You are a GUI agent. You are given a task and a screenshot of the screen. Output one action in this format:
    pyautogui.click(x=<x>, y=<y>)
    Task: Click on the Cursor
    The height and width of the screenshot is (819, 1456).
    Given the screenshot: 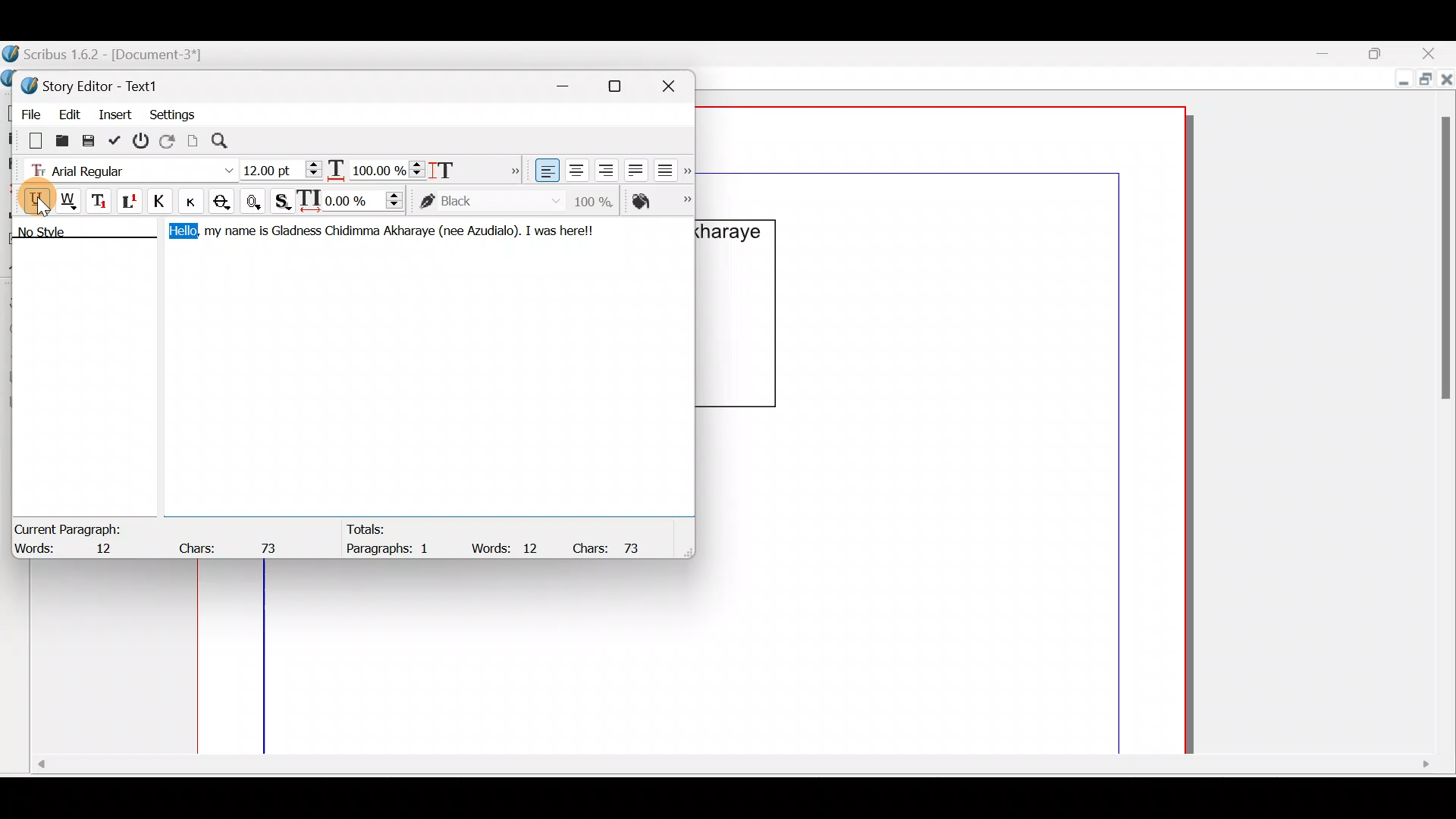 What is the action you would take?
    pyautogui.click(x=42, y=199)
    